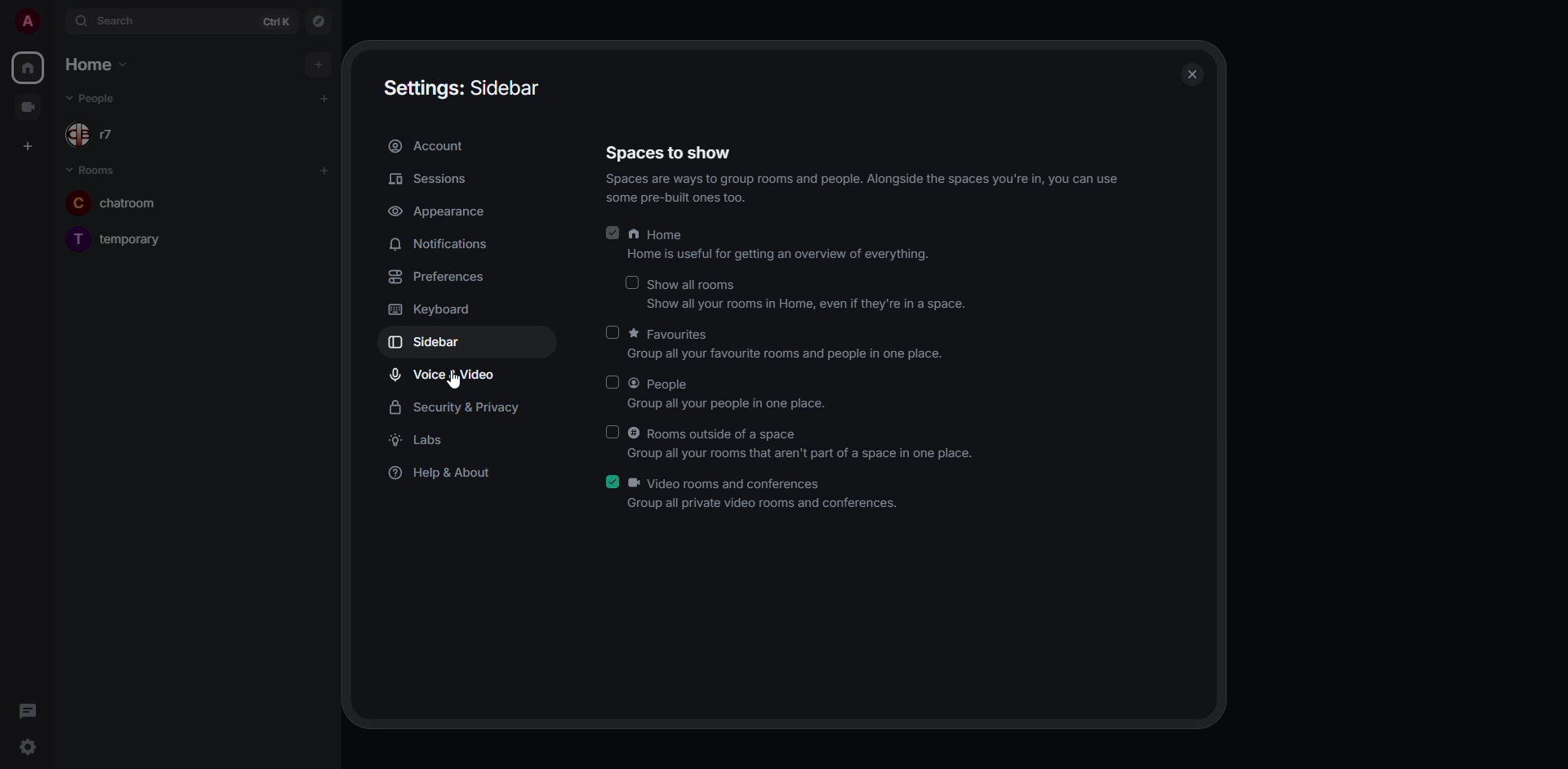 This screenshot has height=769, width=1568. Describe the element at coordinates (764, 484) in the screenshot. I see `video rooms and conferences` at that location.